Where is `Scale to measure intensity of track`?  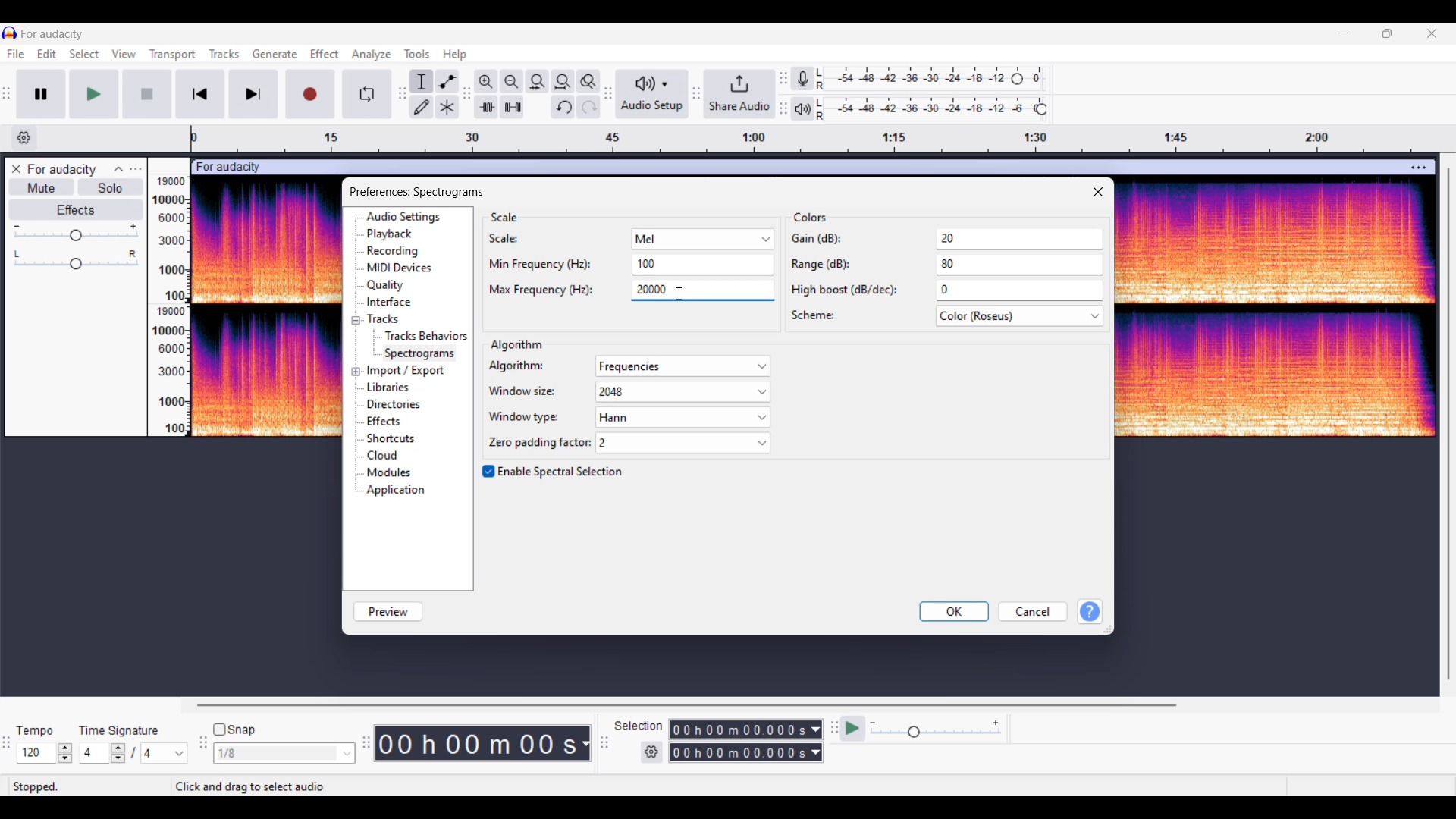
Scale to measure intensity of track is located at coordinates (168, 306).